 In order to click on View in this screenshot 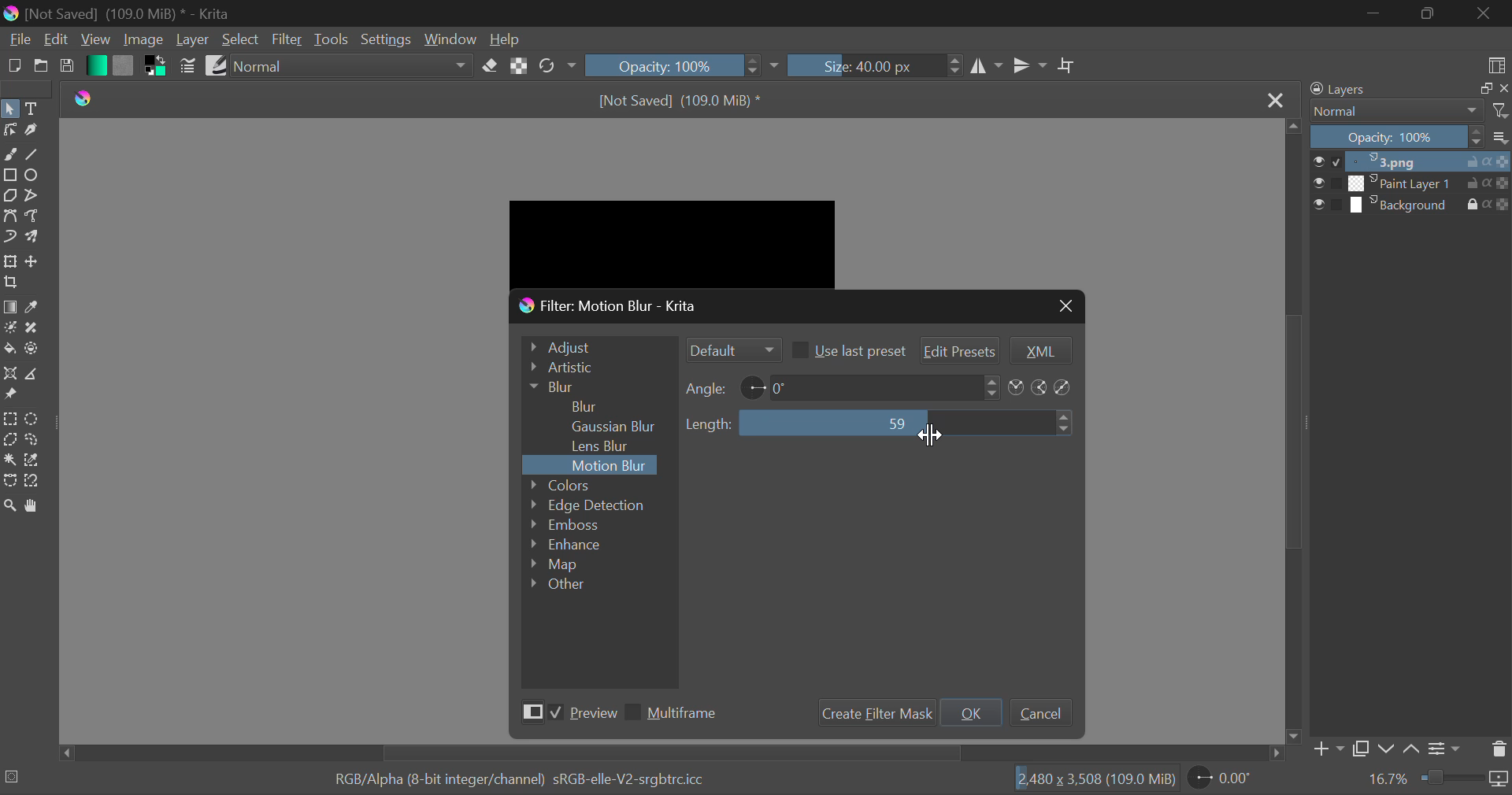, I will do `click(94, 39)`.